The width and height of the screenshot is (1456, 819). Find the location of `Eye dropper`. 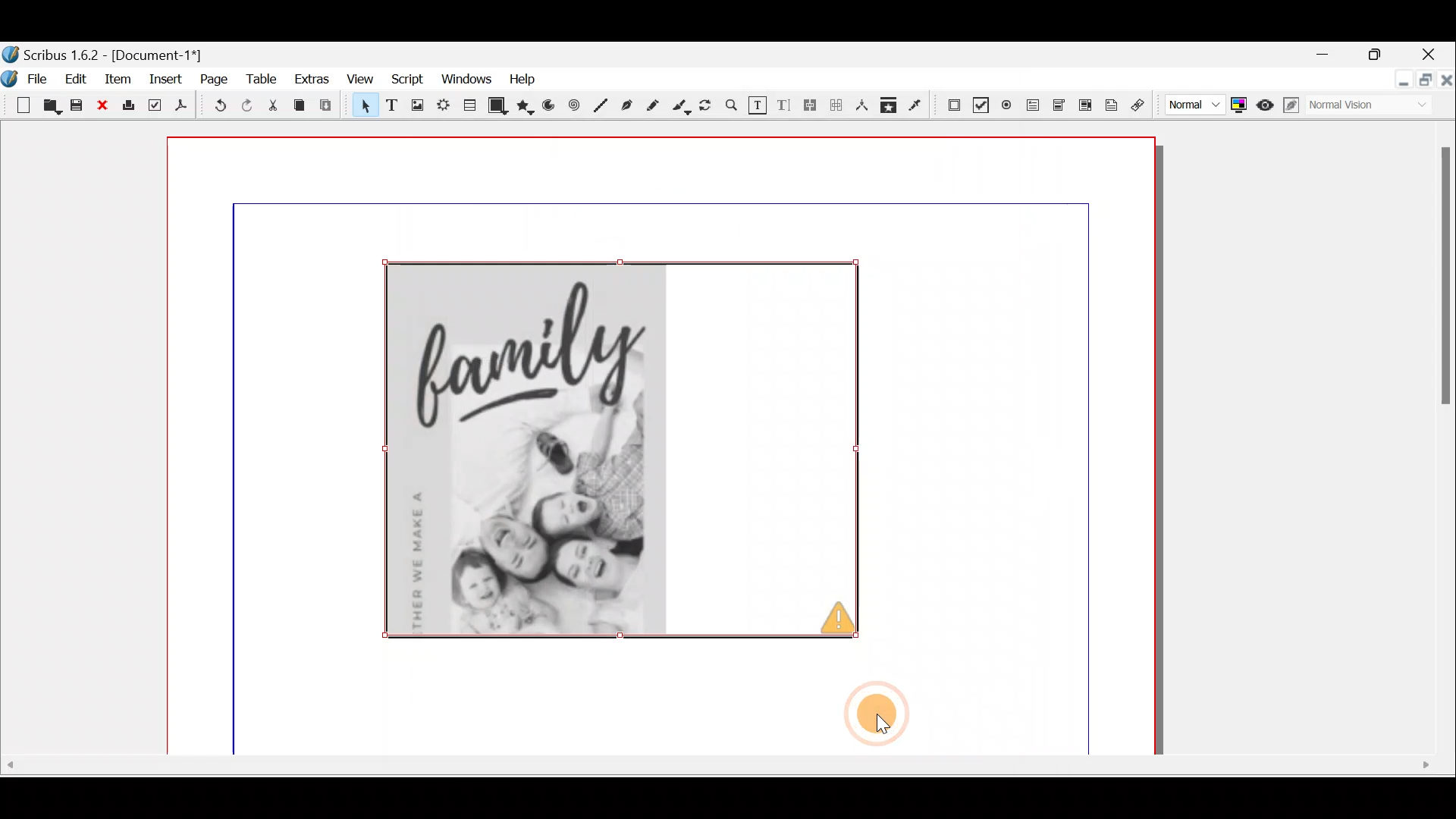

Eye dropper is located at coordinates (917, 104).